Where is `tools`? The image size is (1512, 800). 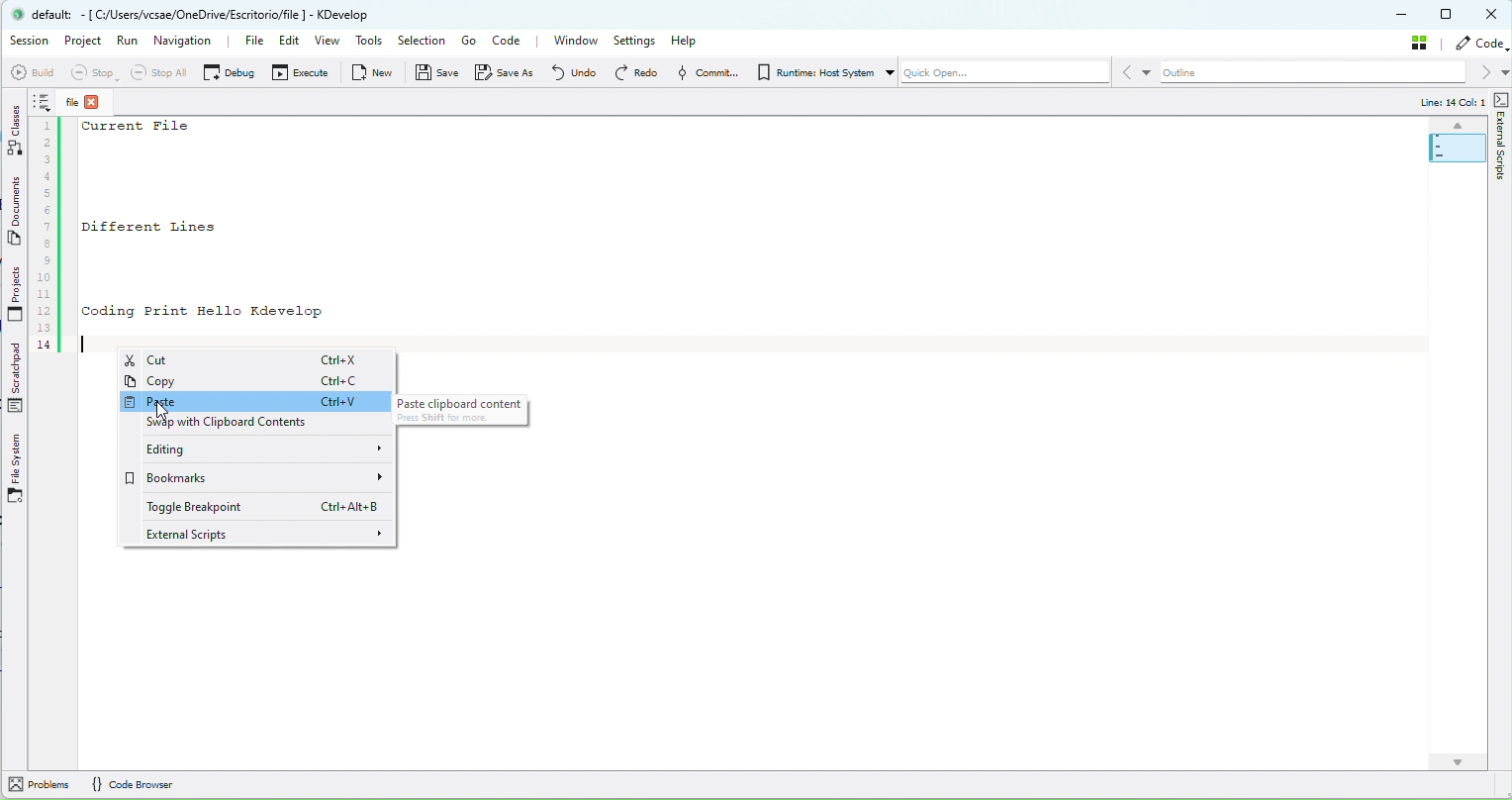
tools is located at coordinates (370, 43).